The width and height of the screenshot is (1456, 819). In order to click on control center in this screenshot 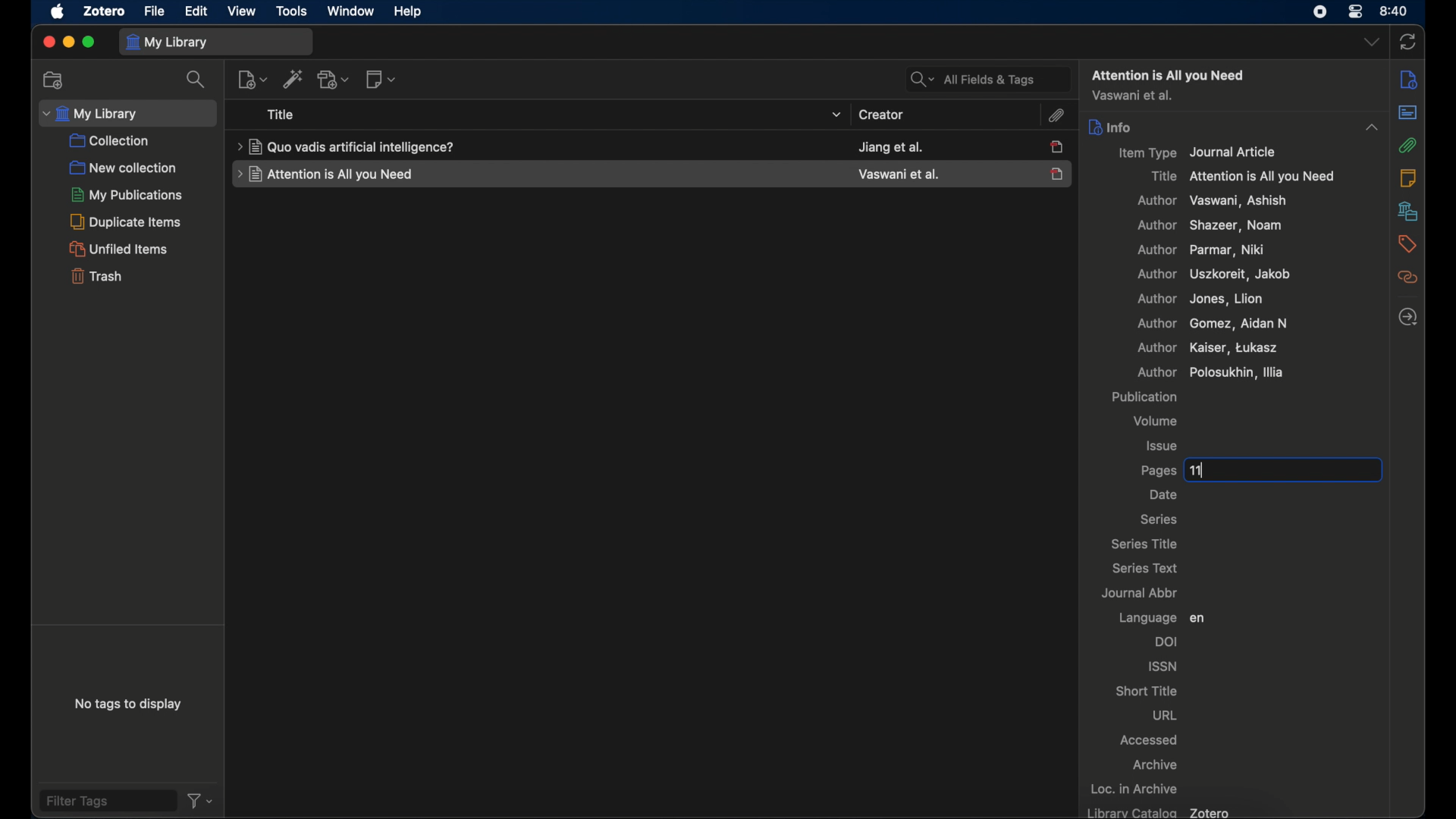, I will do `click(1357, 12)`.